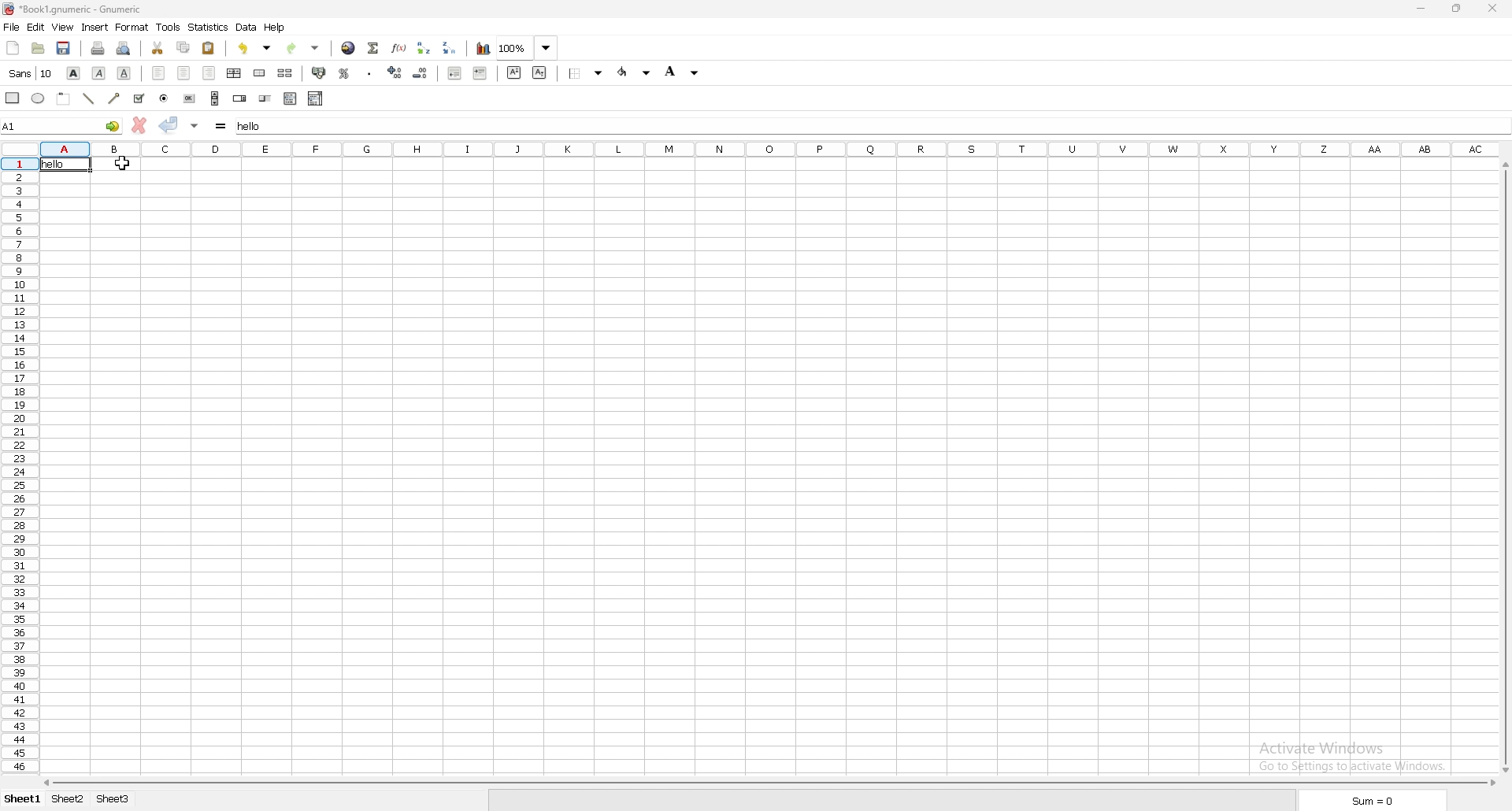 This screenshot has height=811, width=1512. Describe the element at coordinates (321, 74) in the screenshot. I see `accounting format` at that location.